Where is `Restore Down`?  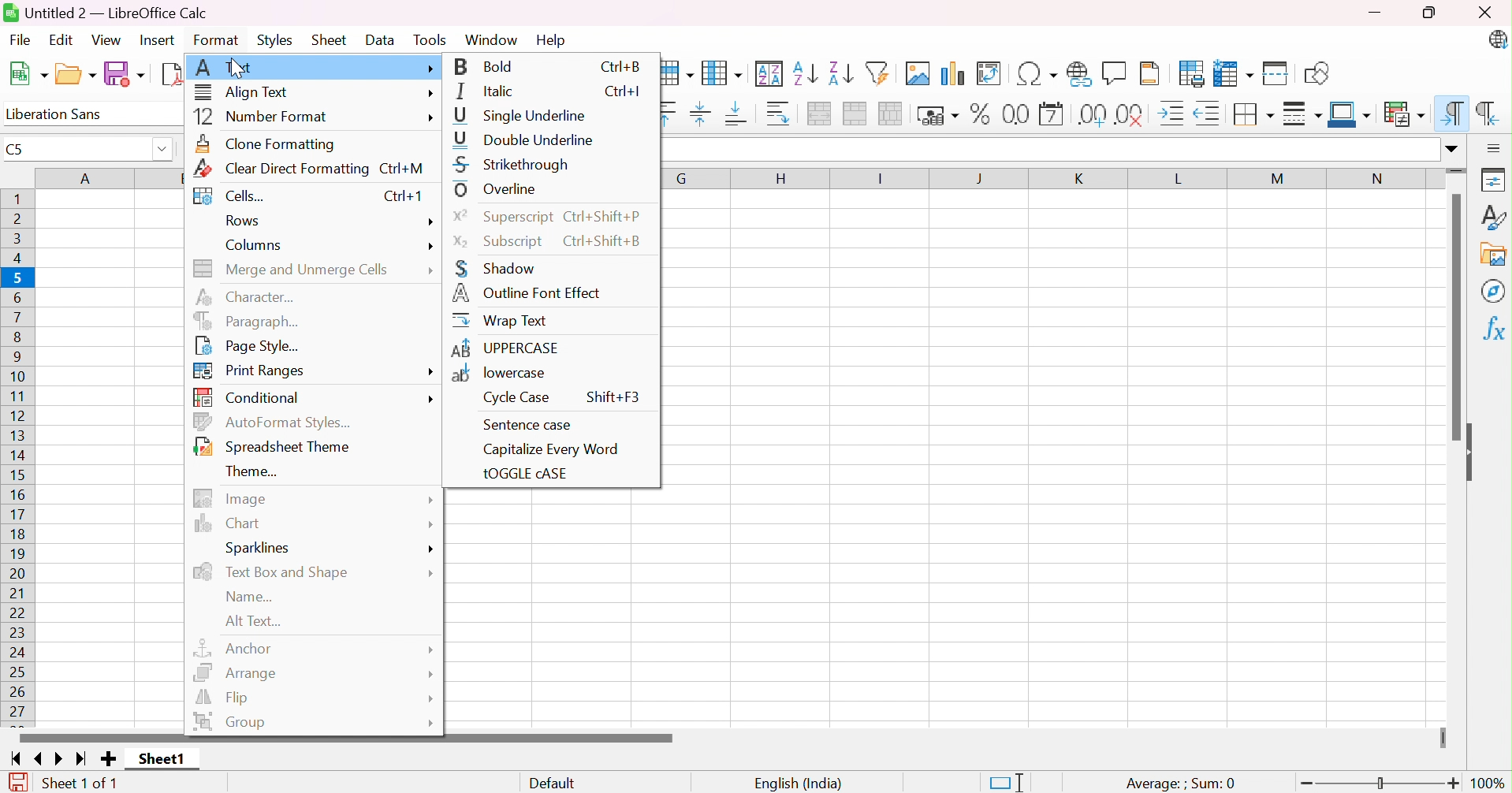
Restore Down is located at coordinates (1435, 12).